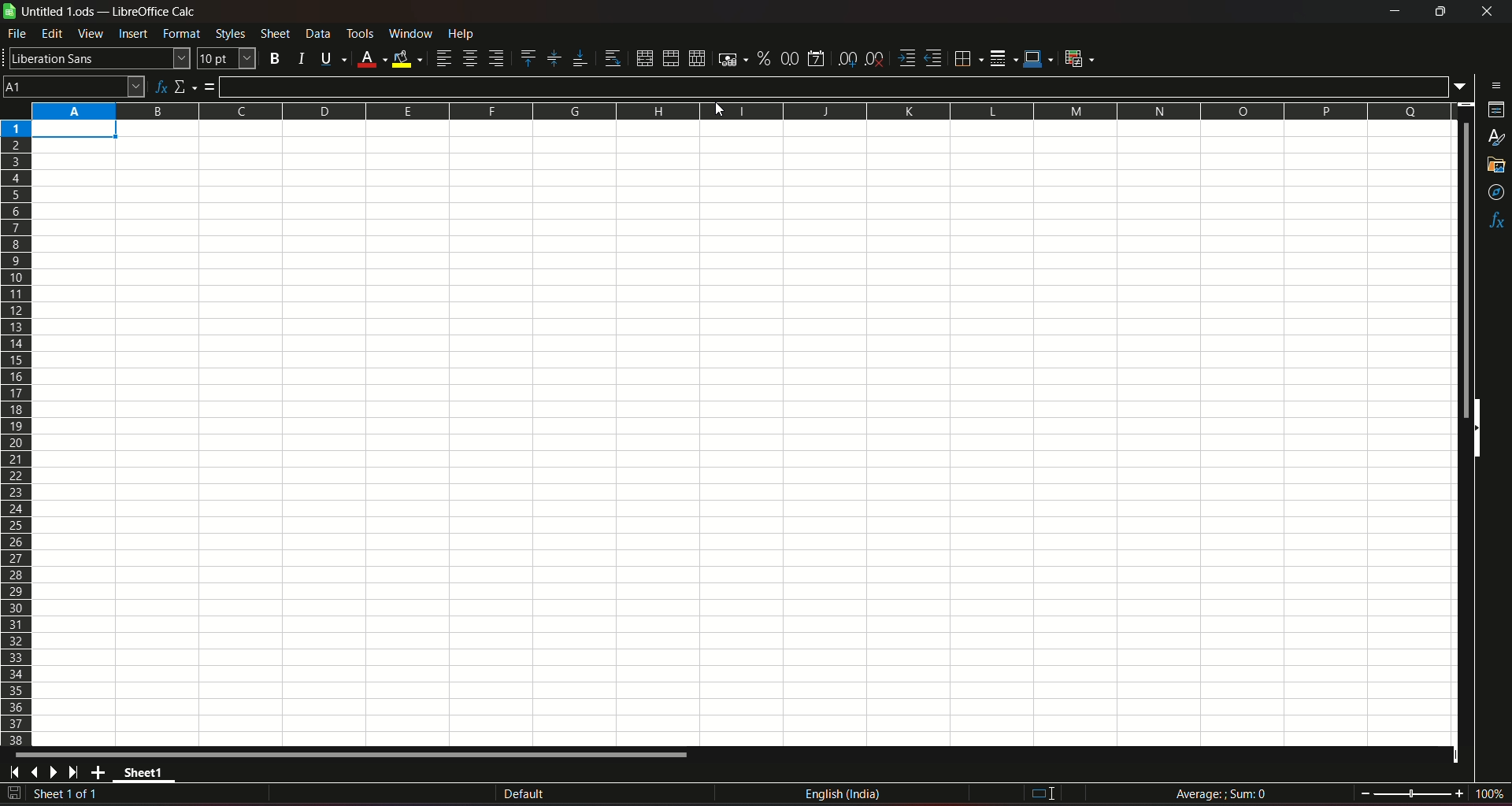  Describe the element at coordinates (610, 57) in the screenshot. I see `wrap text` at that location.